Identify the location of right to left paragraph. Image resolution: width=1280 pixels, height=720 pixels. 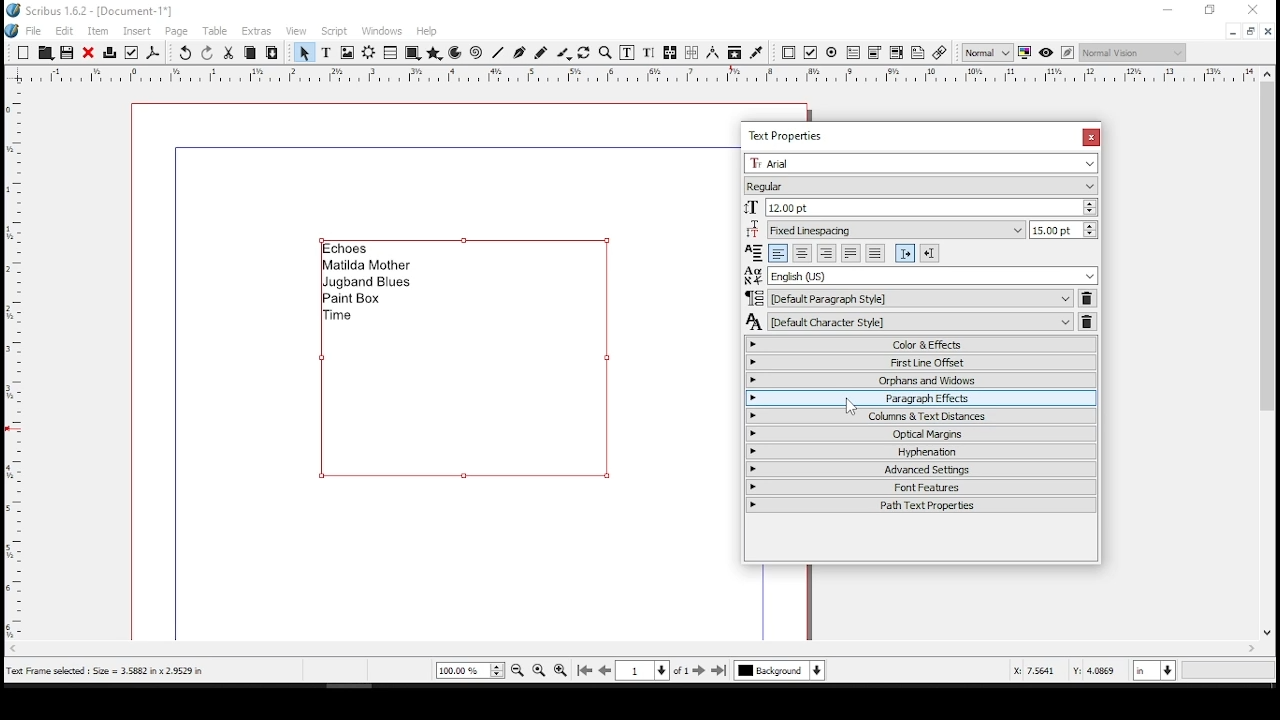
(929, 253).